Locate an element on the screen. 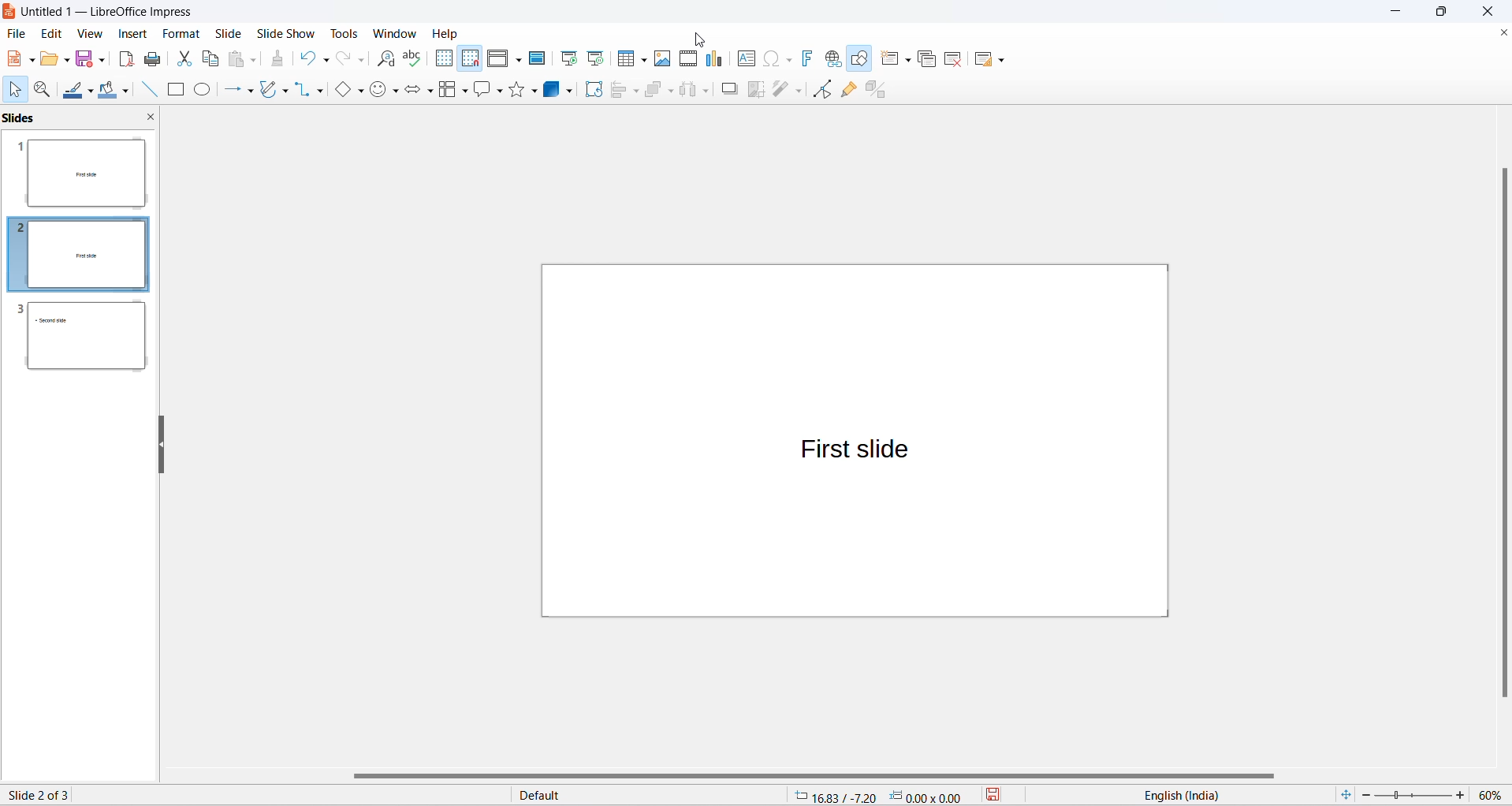 The height and width of the screenshot is (806, 1512). zoom and pan is located at coordinates (43, 89).